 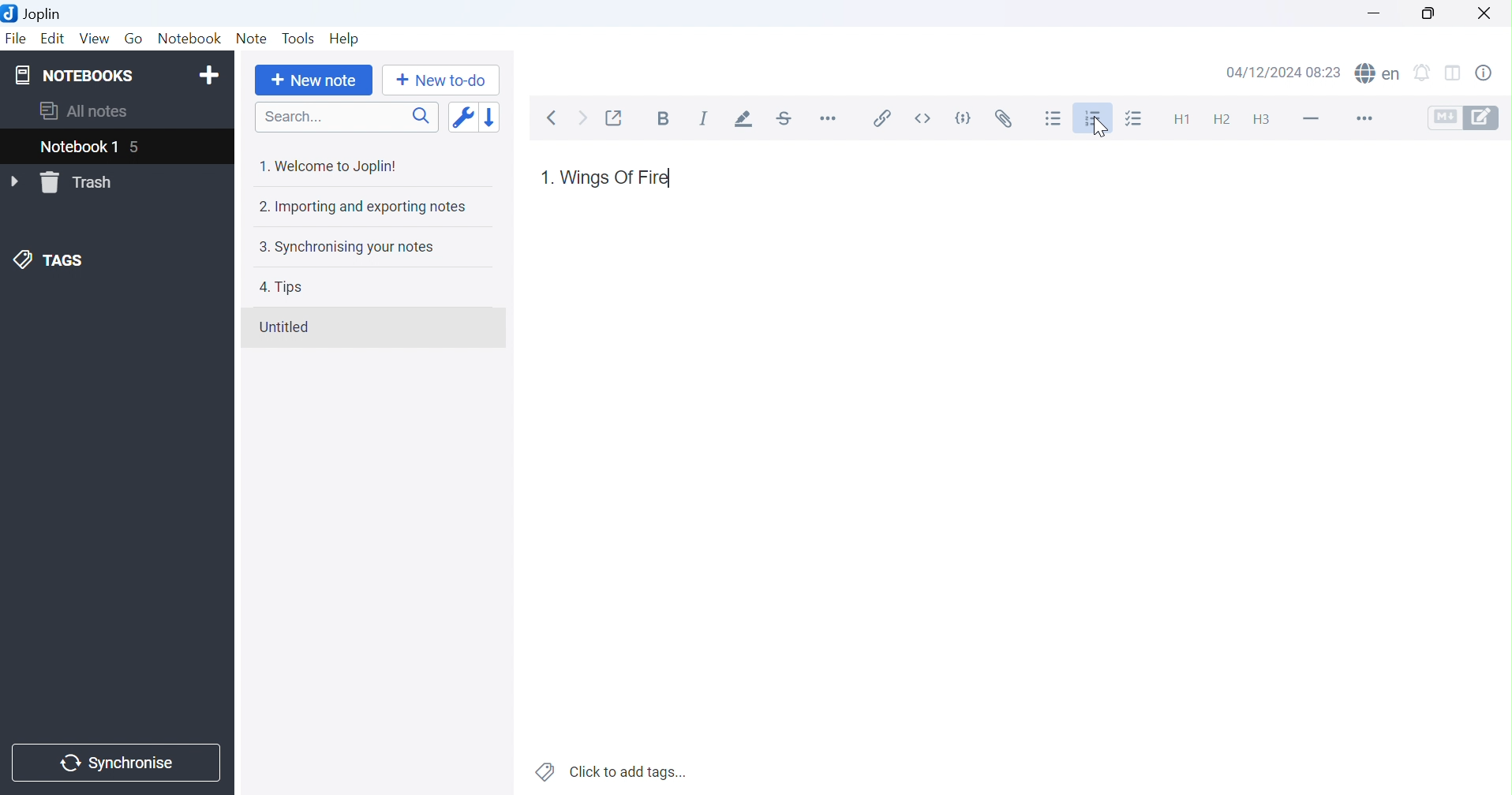 I want to click on 1. Welcome to Joplin!, so click(x=327, y=166).